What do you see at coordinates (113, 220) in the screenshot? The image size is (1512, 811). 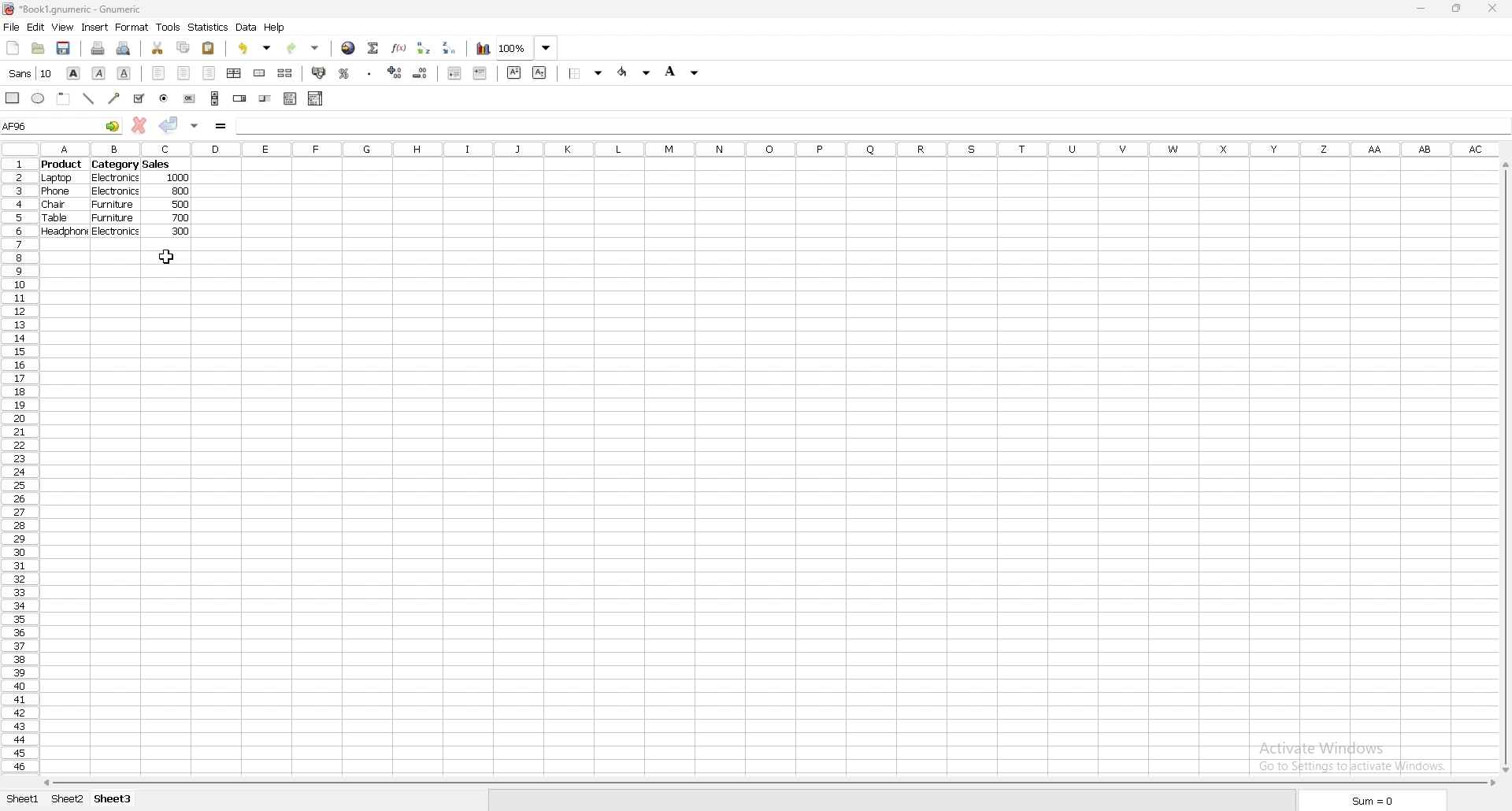 I see `furniture` at bounding box center [113, 220].